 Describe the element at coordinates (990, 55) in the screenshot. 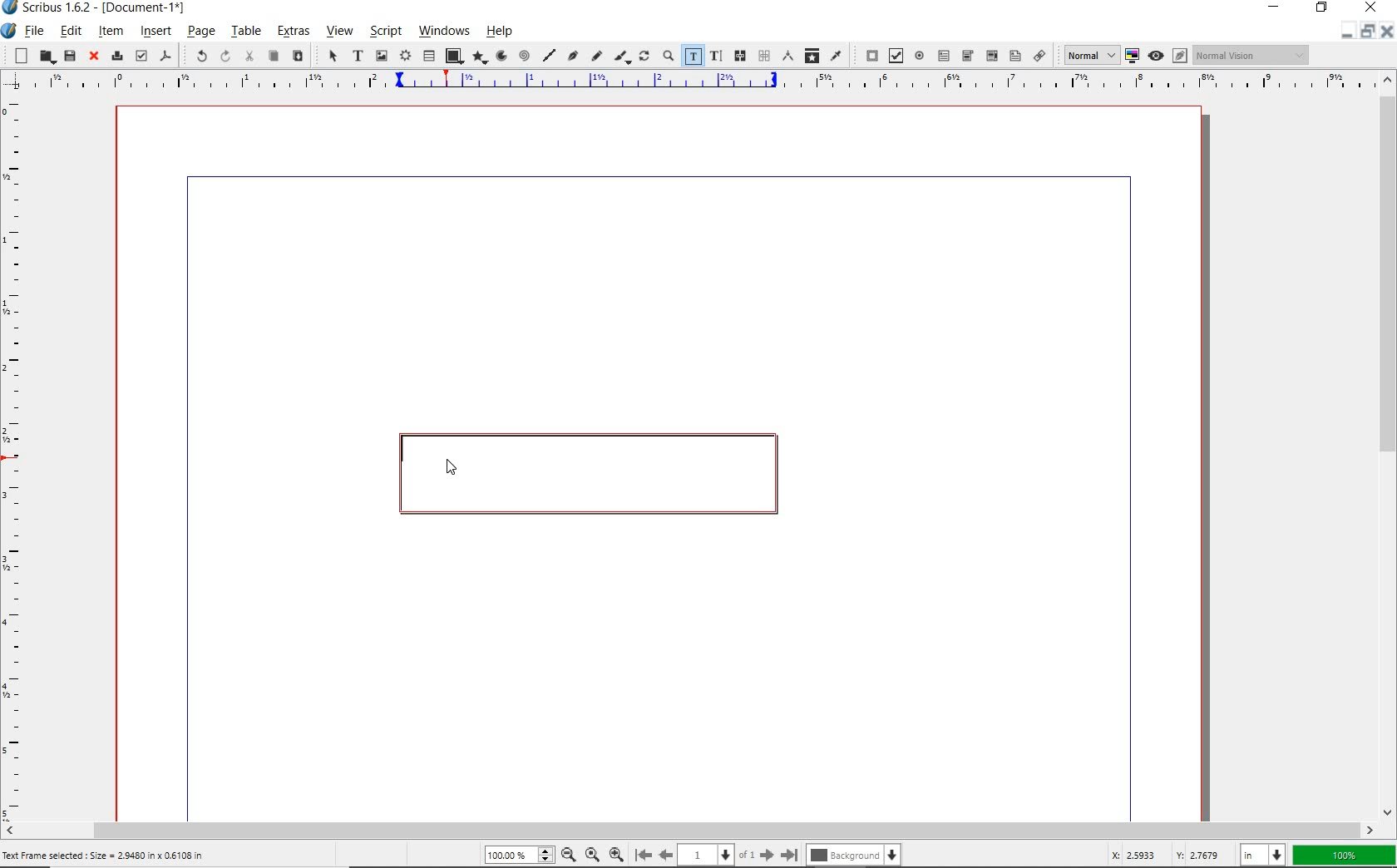

I see `pdf list box` at that location.